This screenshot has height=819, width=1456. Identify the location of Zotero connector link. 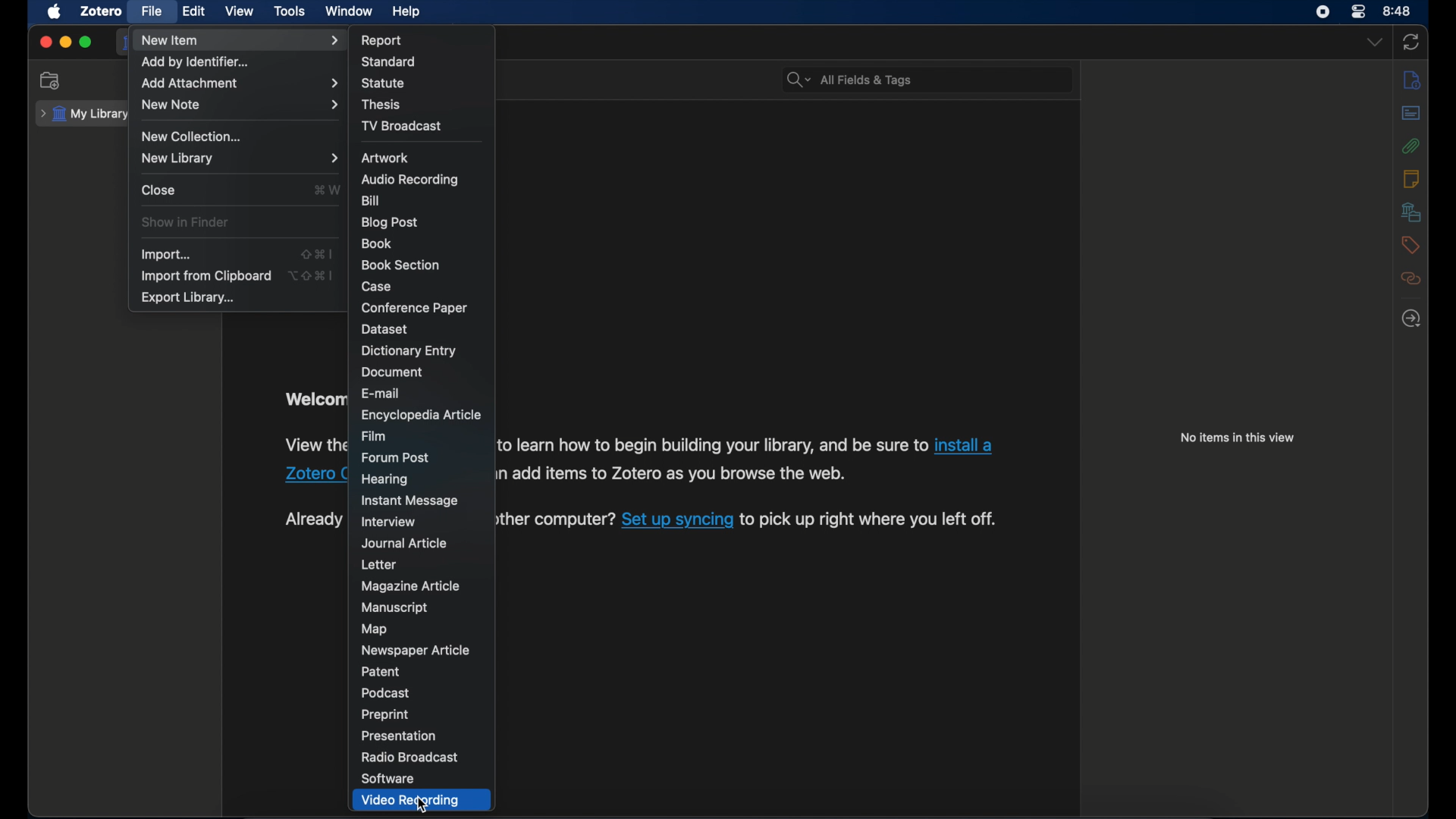
(966, 446).